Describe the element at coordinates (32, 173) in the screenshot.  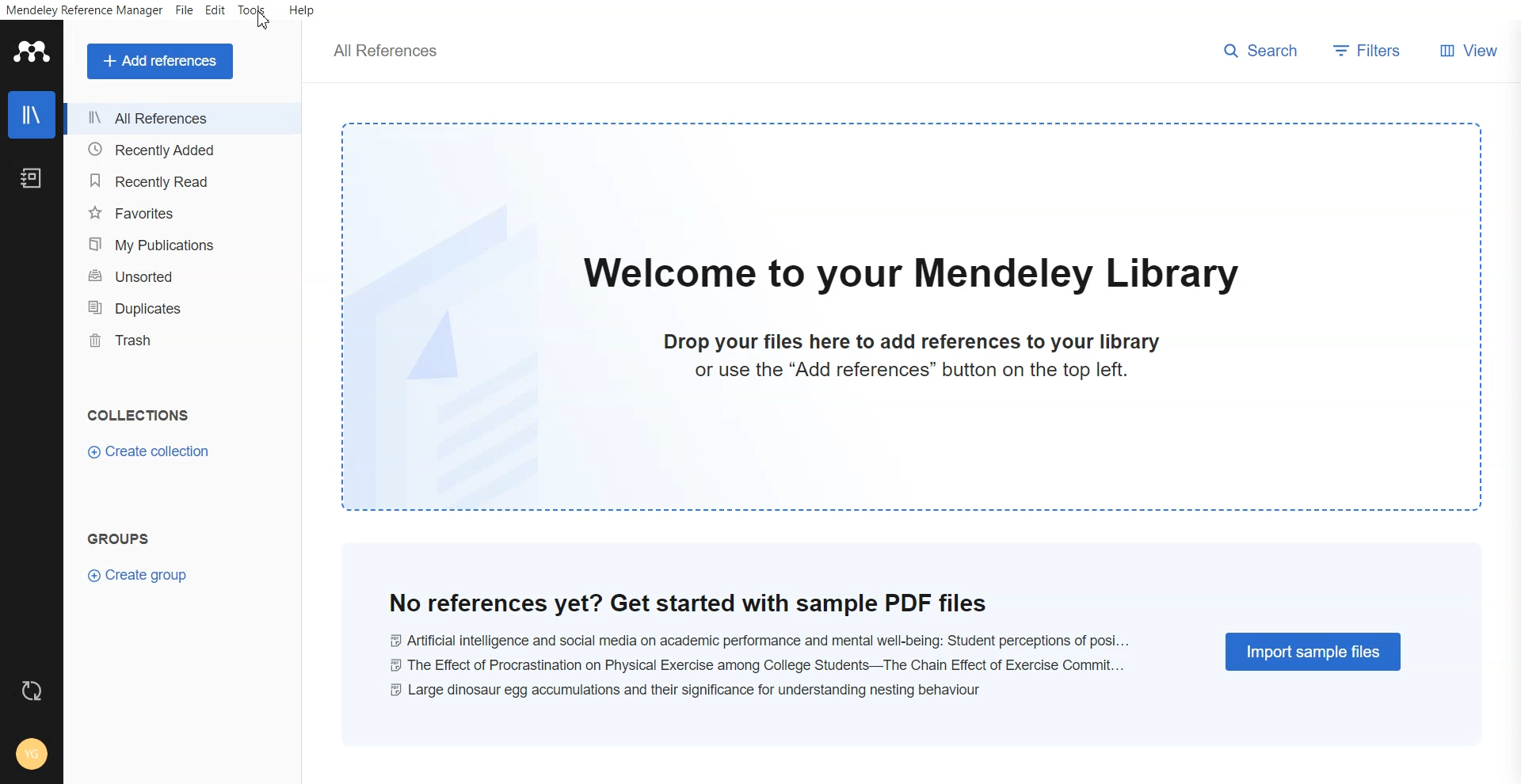
I see `Notebook icon` at that location.